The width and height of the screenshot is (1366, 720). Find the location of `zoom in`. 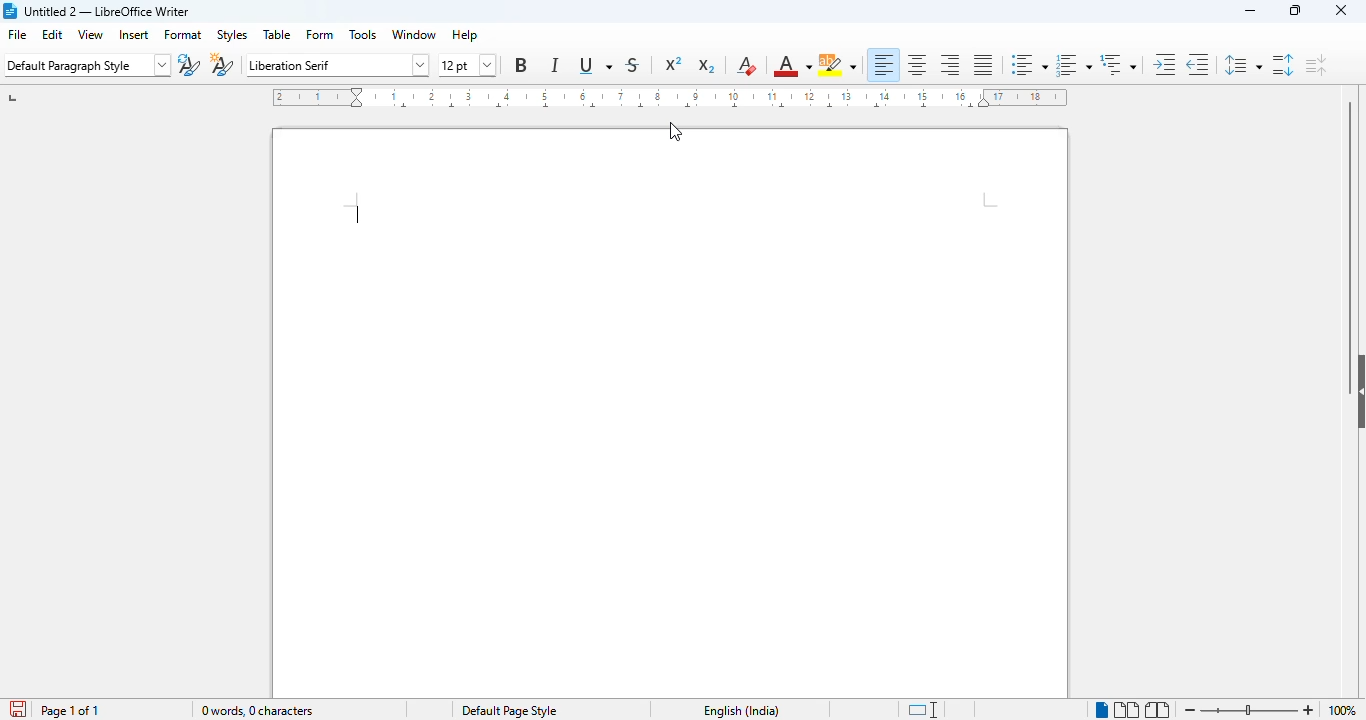

zoom in is located at coordinates (1308, 710).